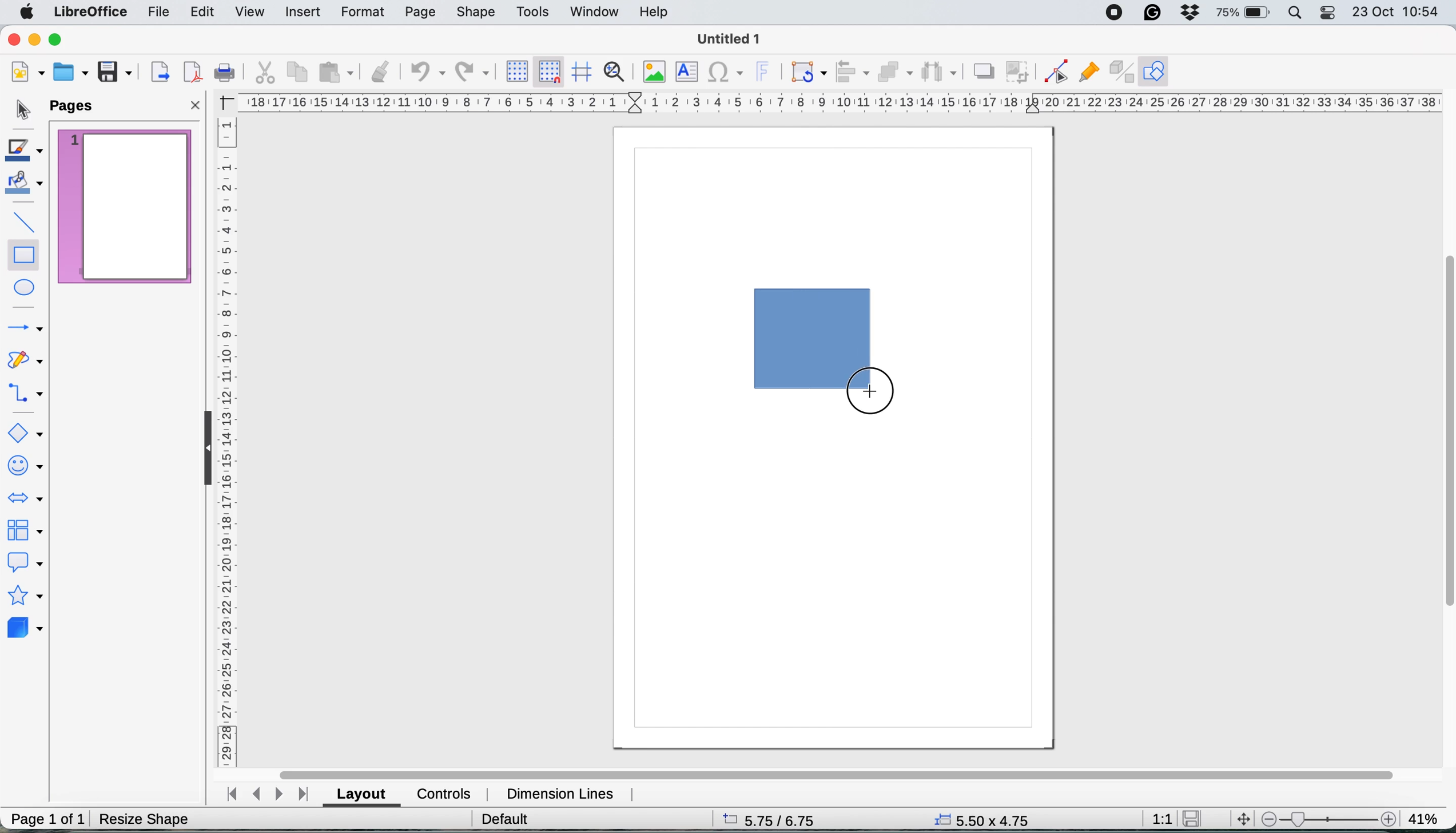 This screenshot has width=1456, height=833. Describe the element at coordinates (24, 329) in the screenshot. I see `lines and arrows` at that location.